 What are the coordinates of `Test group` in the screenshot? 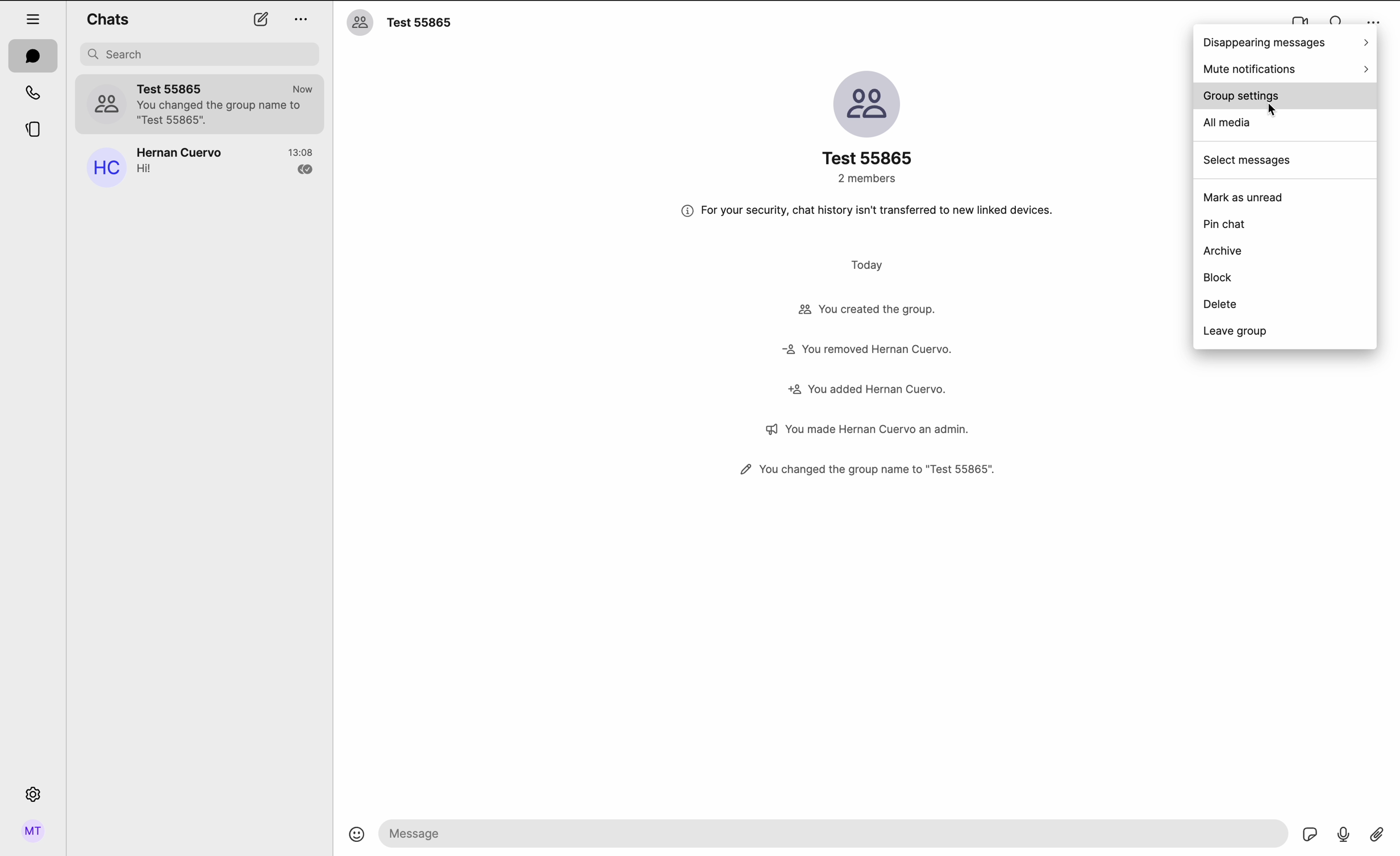 It's located at (227, 104).